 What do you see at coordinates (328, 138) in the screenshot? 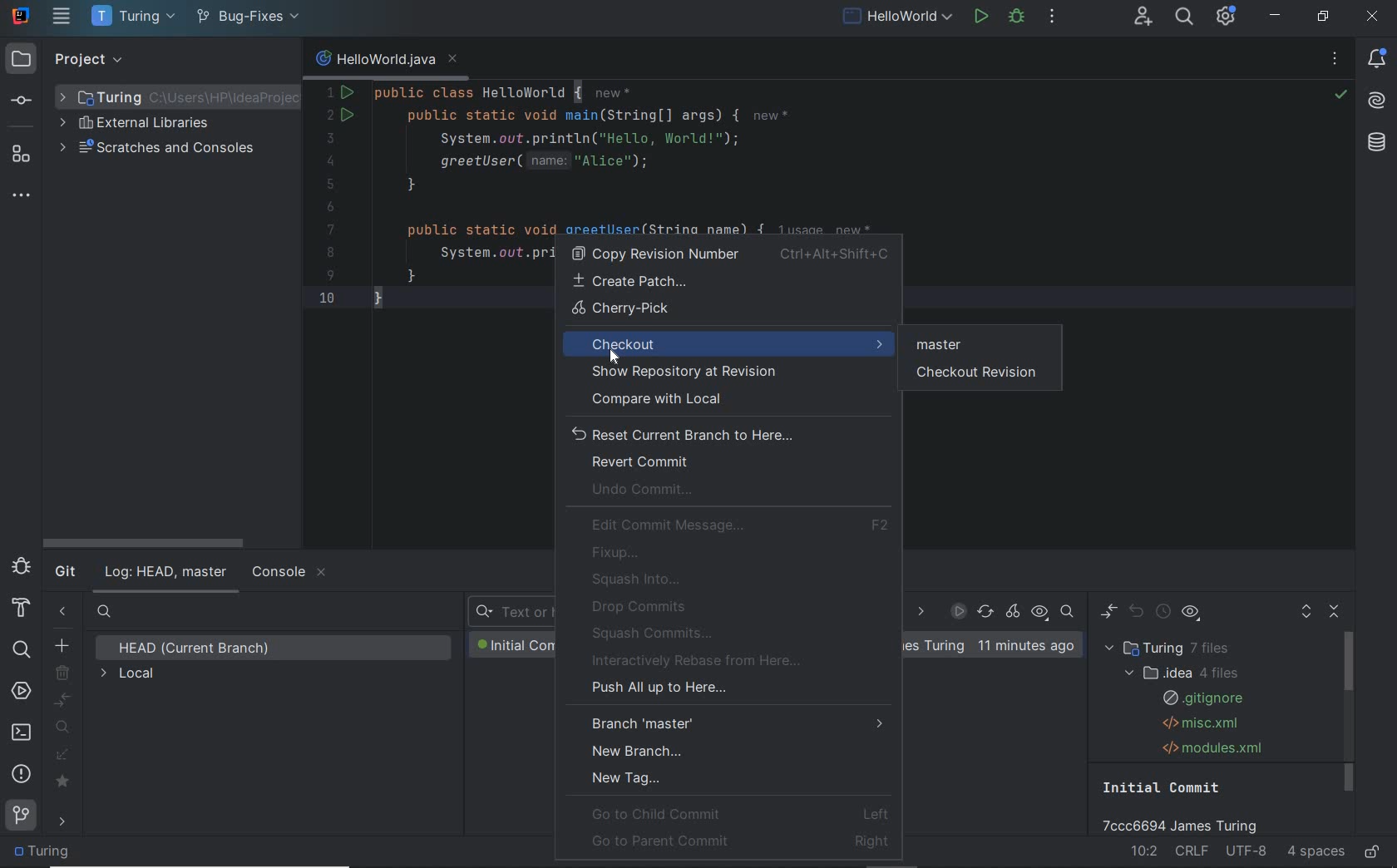
I see `3` at bounding box center [328, 138].